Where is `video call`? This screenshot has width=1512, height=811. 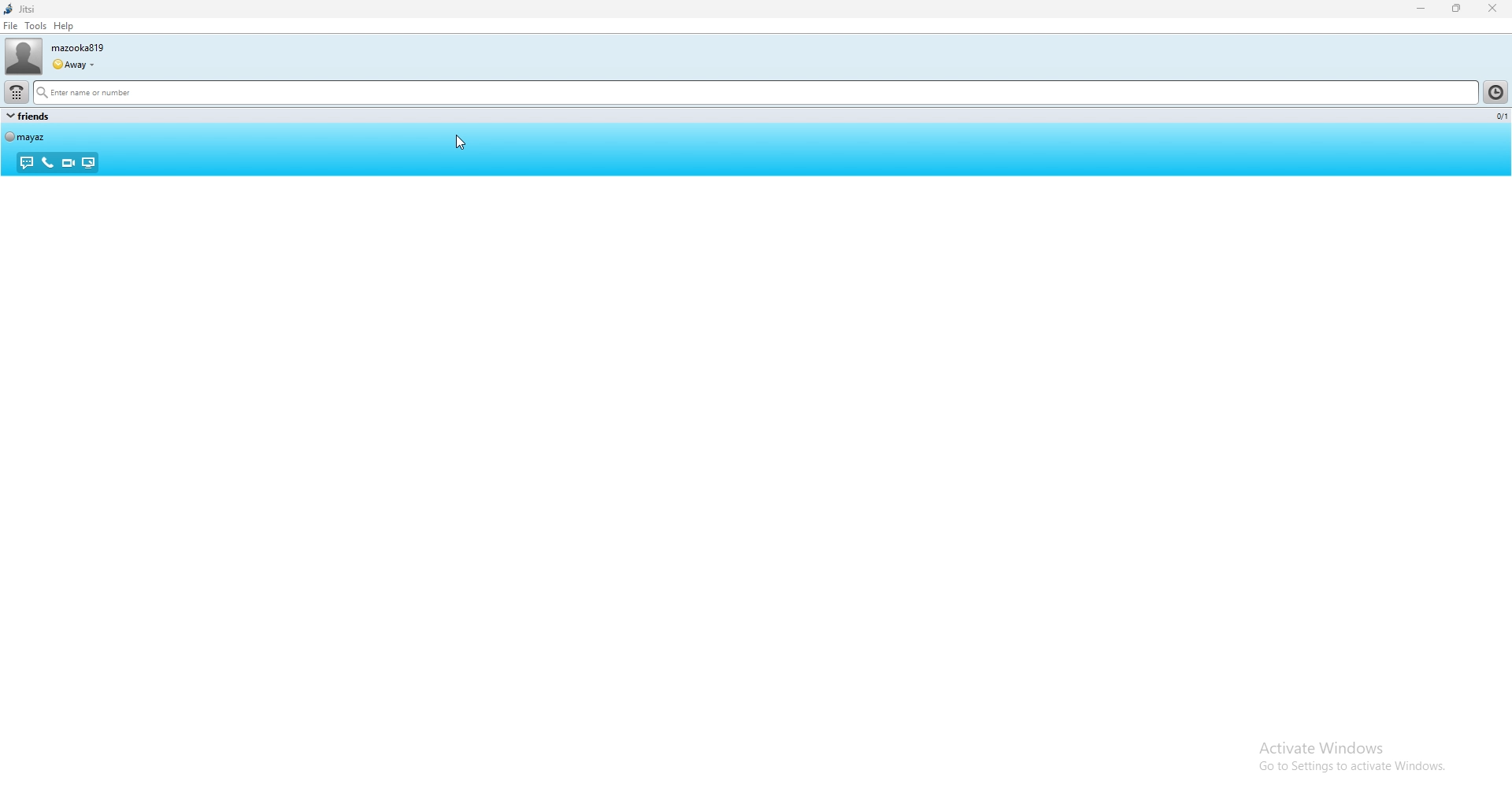
video call is located at coordinates (68, 163).